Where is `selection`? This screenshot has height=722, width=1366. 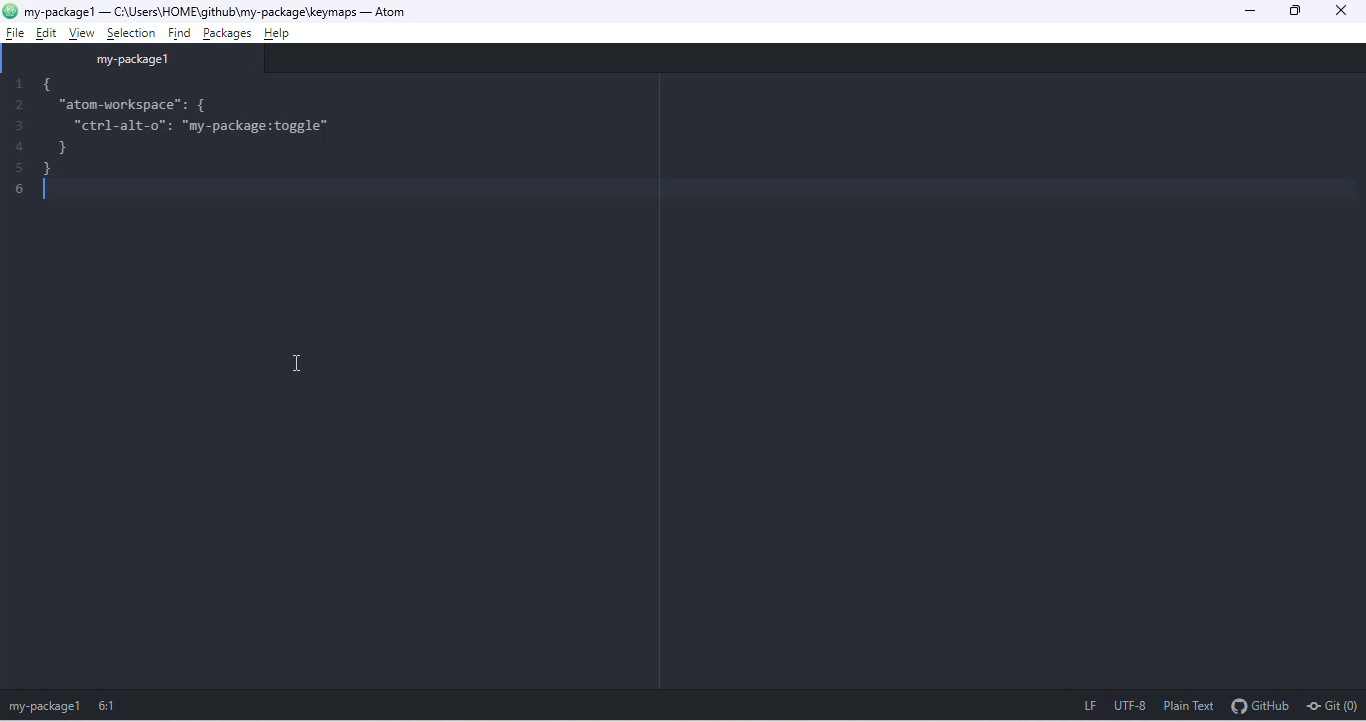 selection is located at coordinates (129, 32).